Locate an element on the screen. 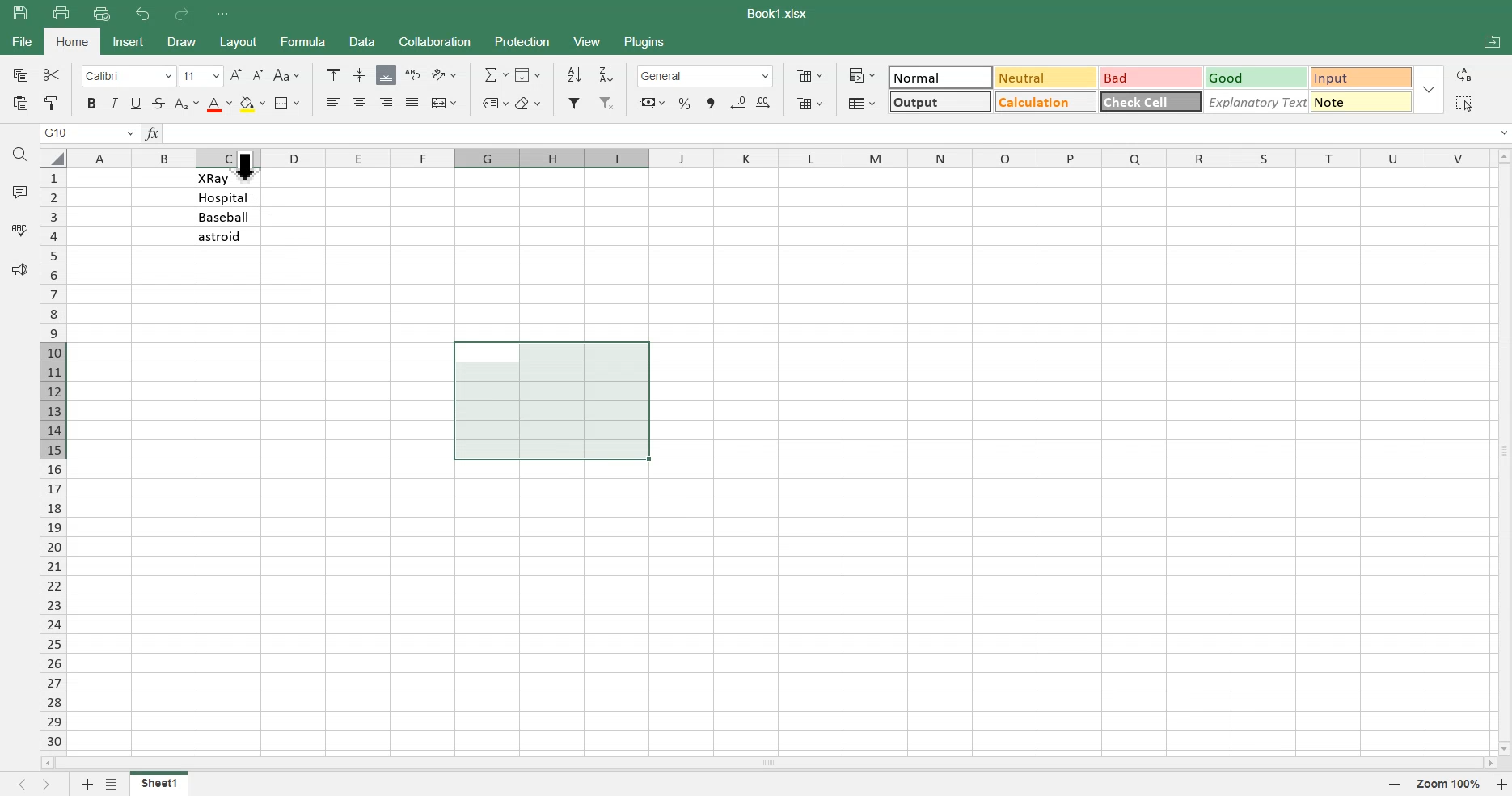  Vertical Row Number line is located at coordinates (53, 459).